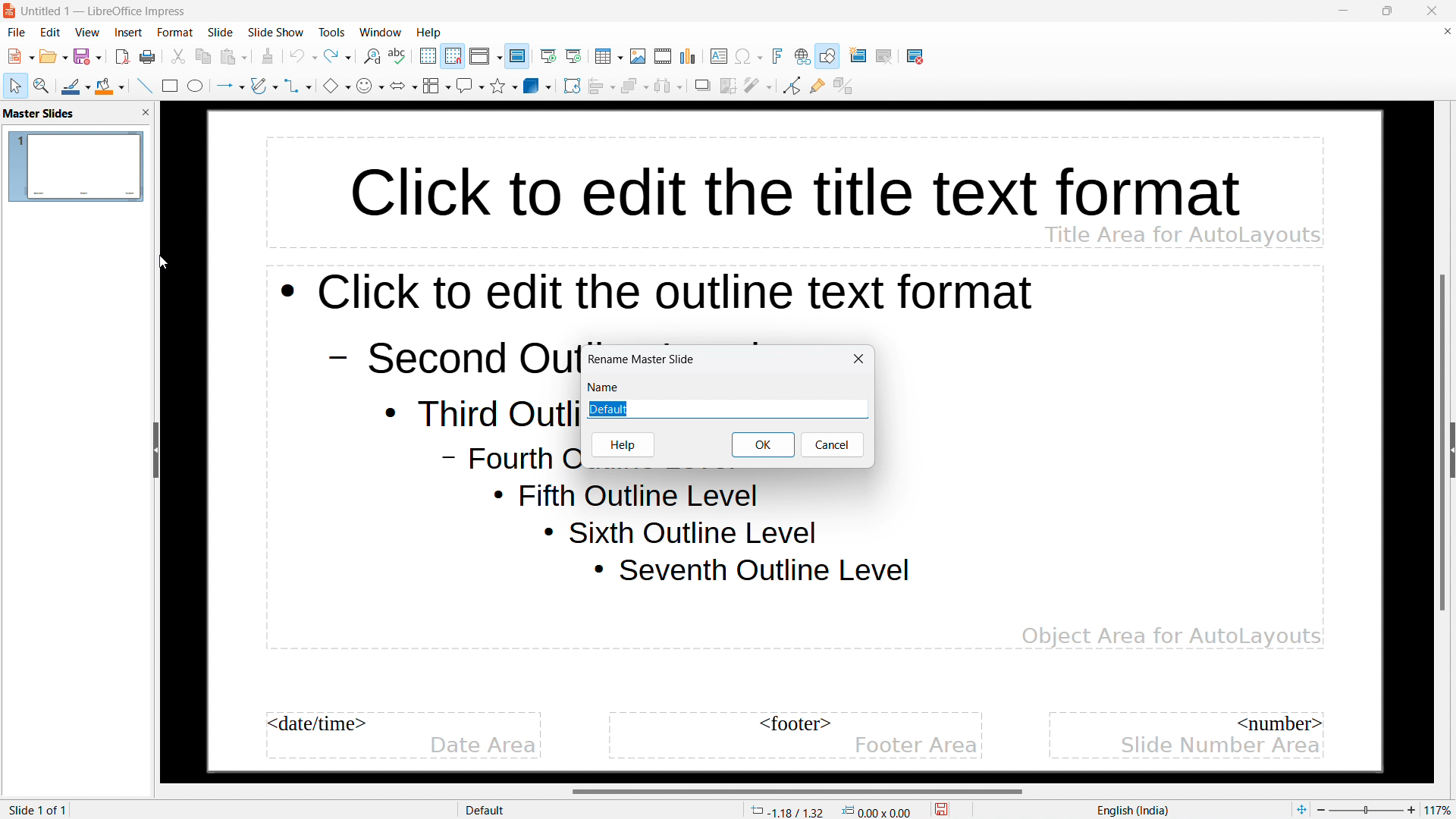  I want to click on paste, so click(233, 57).